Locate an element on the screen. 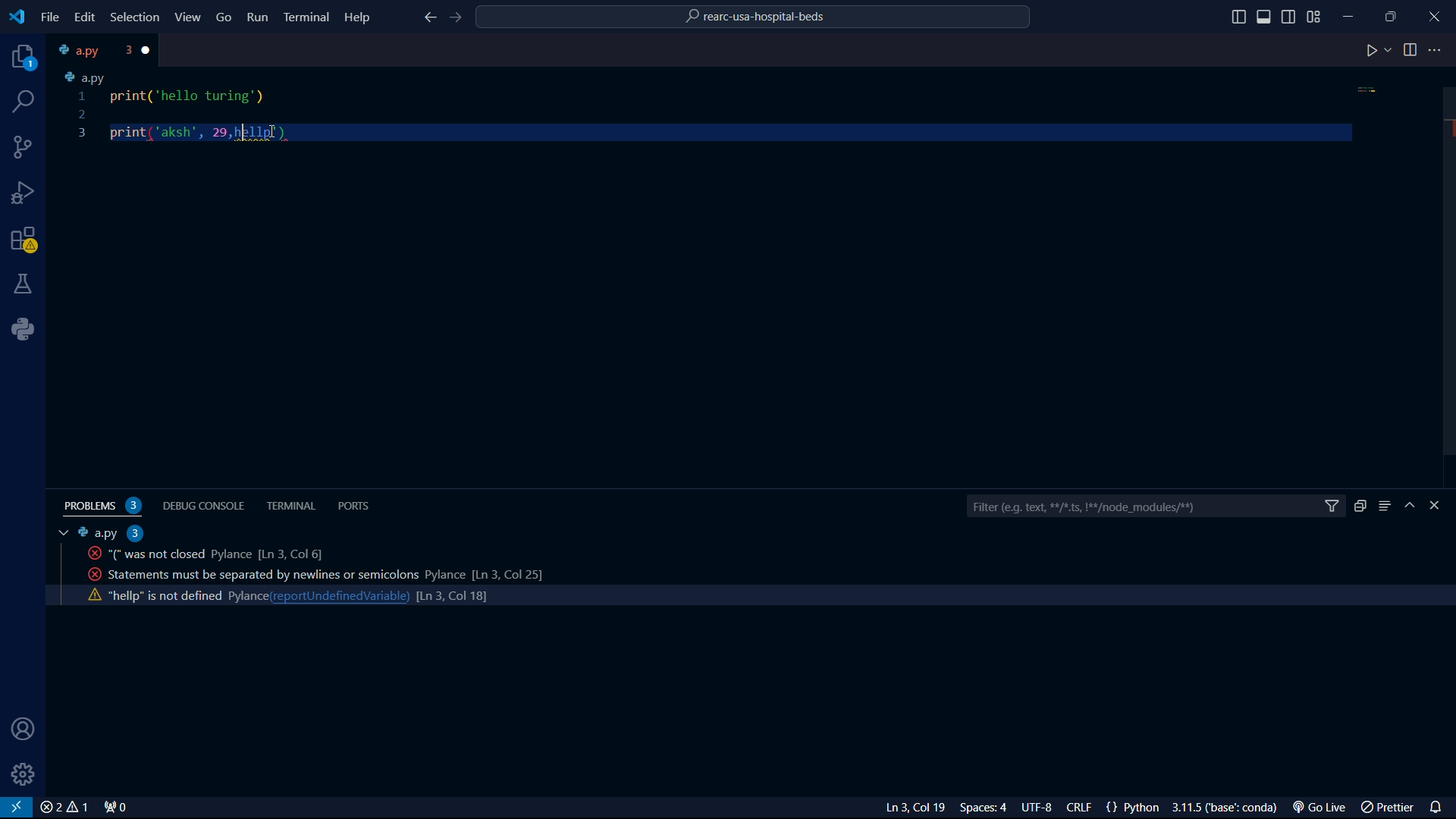 This screenshot has height=819, width=1456. close is located at coordinates (64, 808).